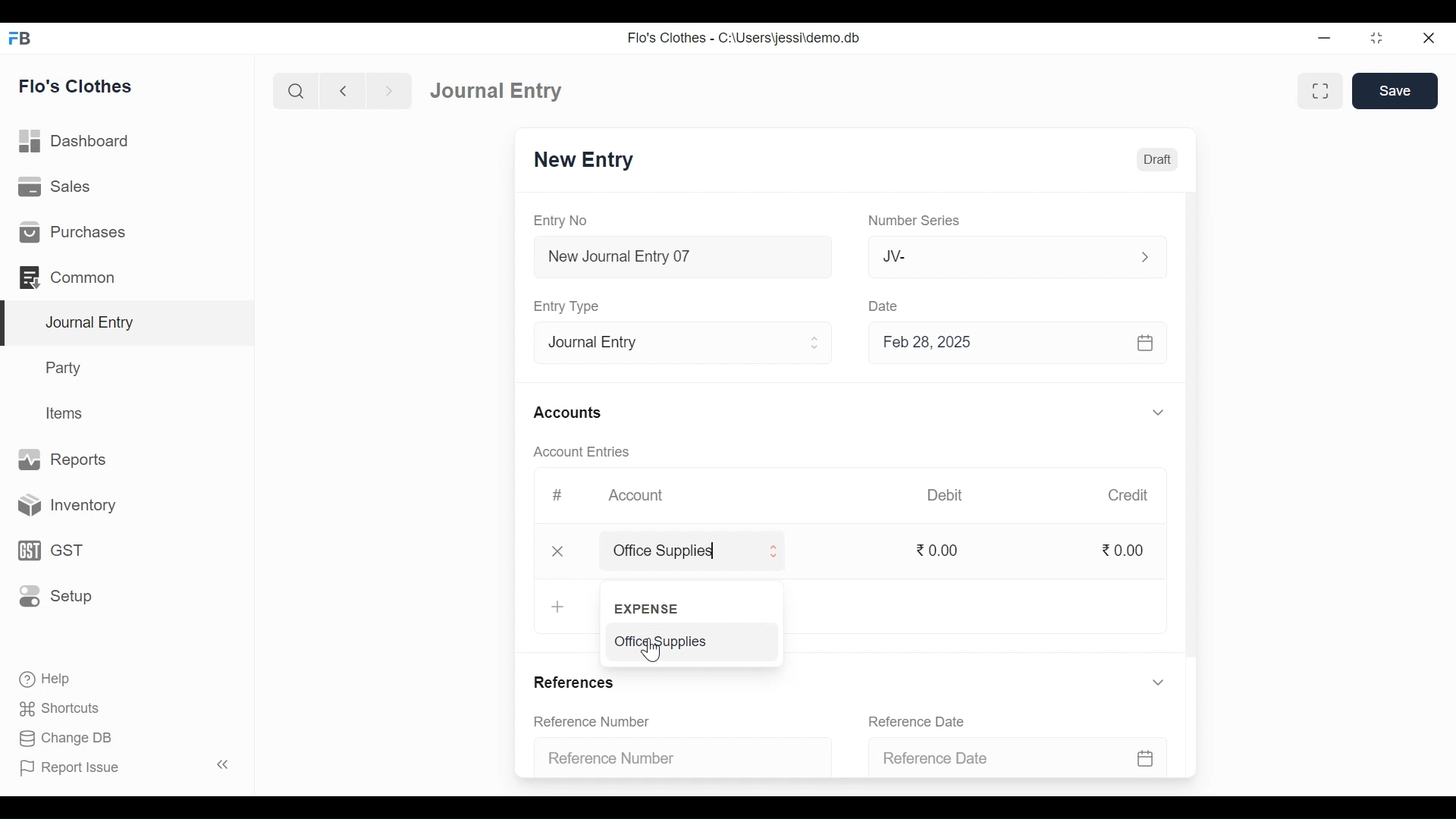  I want to click on Accounts, so click(567, 413).